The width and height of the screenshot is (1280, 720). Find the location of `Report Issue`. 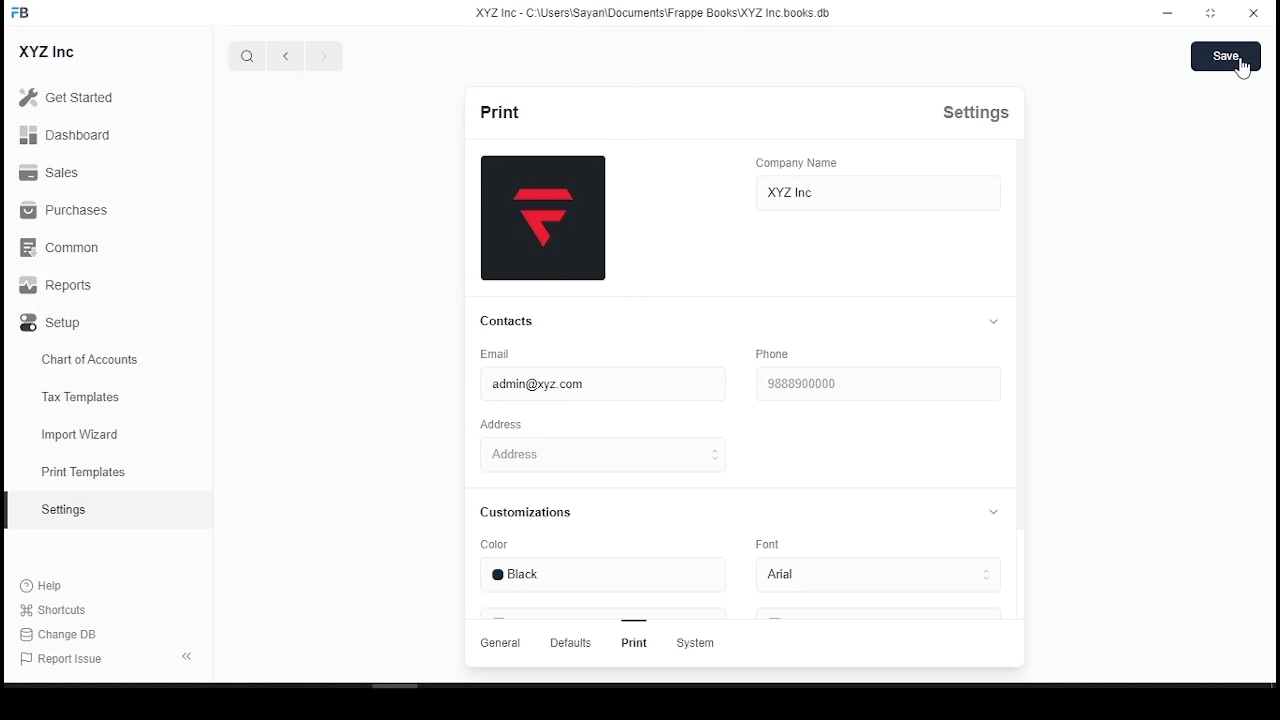

Report Issue is located at coordinates (62, 660).